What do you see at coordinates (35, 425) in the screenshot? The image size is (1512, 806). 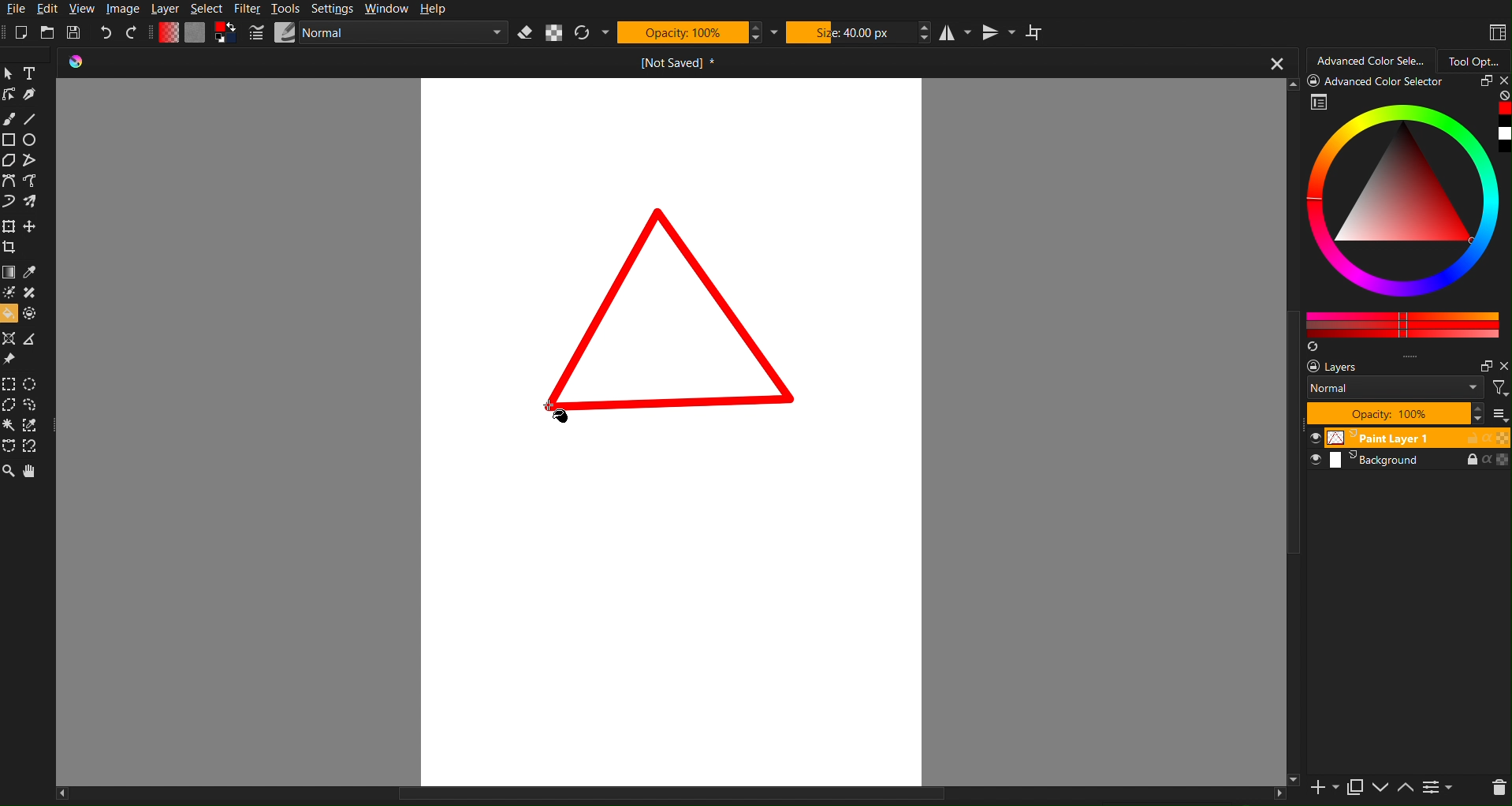 I see `similar color selection tool` at bounding box center [35, 425].